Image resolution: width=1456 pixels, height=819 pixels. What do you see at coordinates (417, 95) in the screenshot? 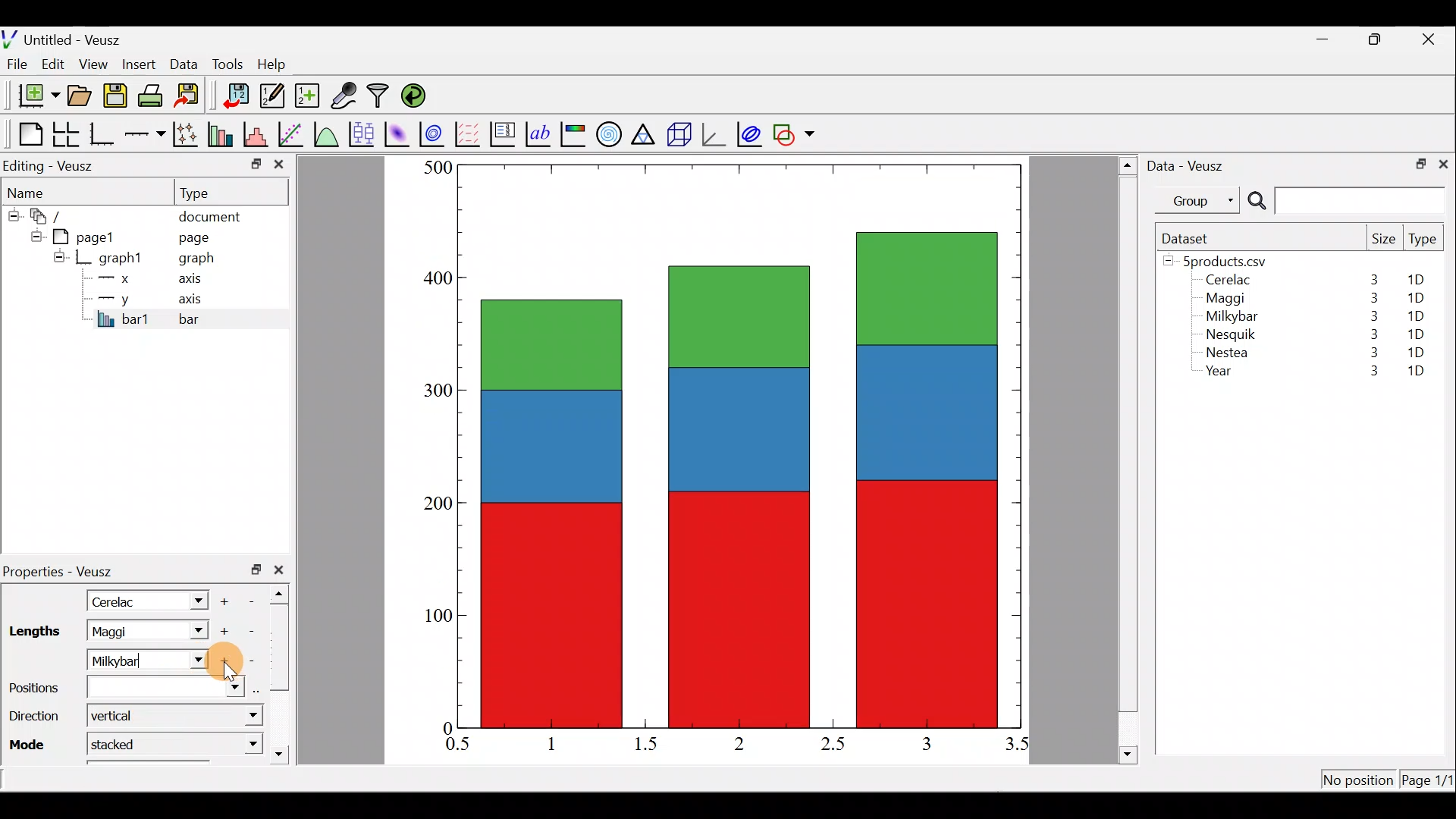
I see `Reload linked datasets` at bounding box center [417, 95].